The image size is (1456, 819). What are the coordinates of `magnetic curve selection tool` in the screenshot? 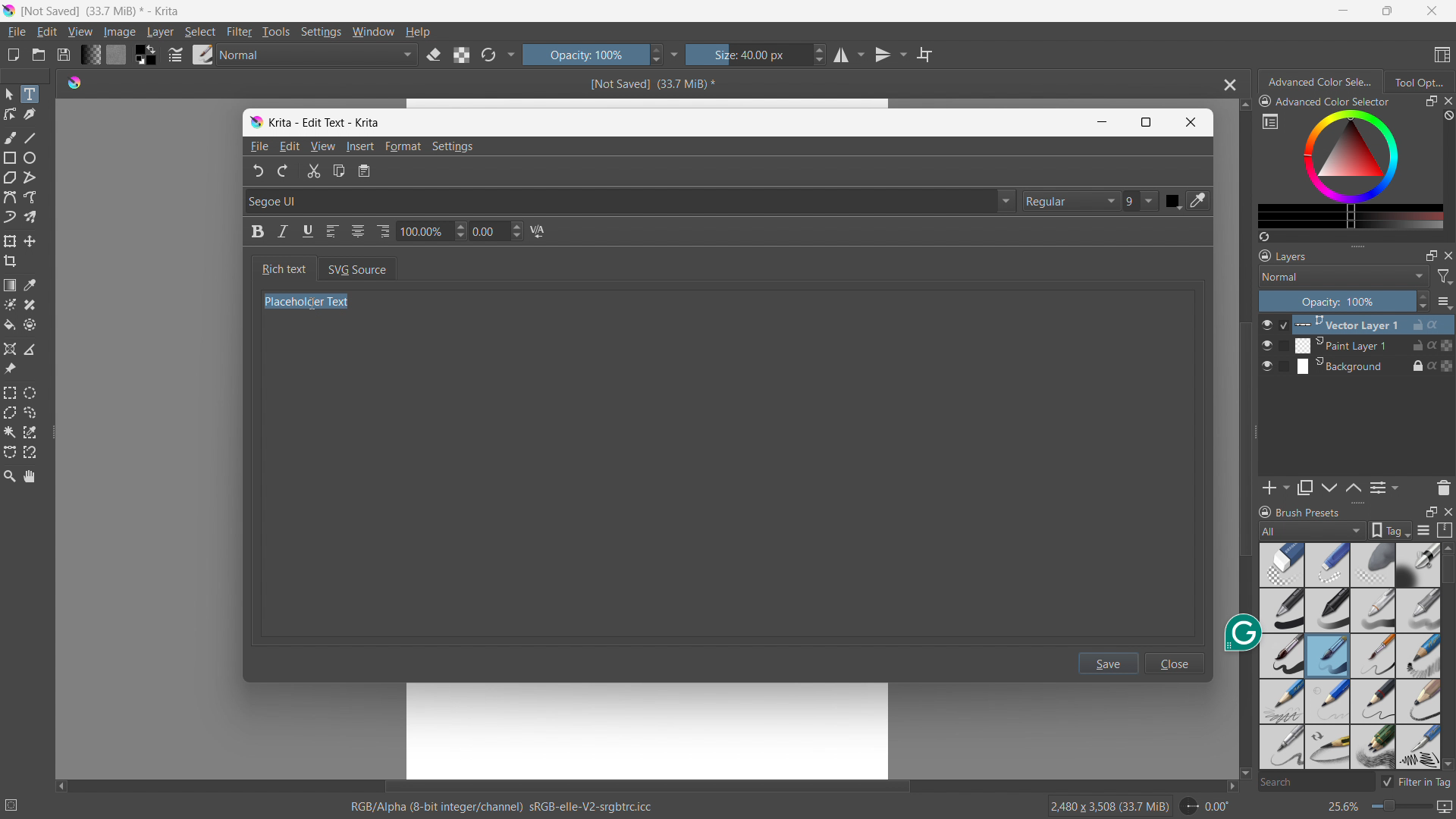 It's located at (30, 453).